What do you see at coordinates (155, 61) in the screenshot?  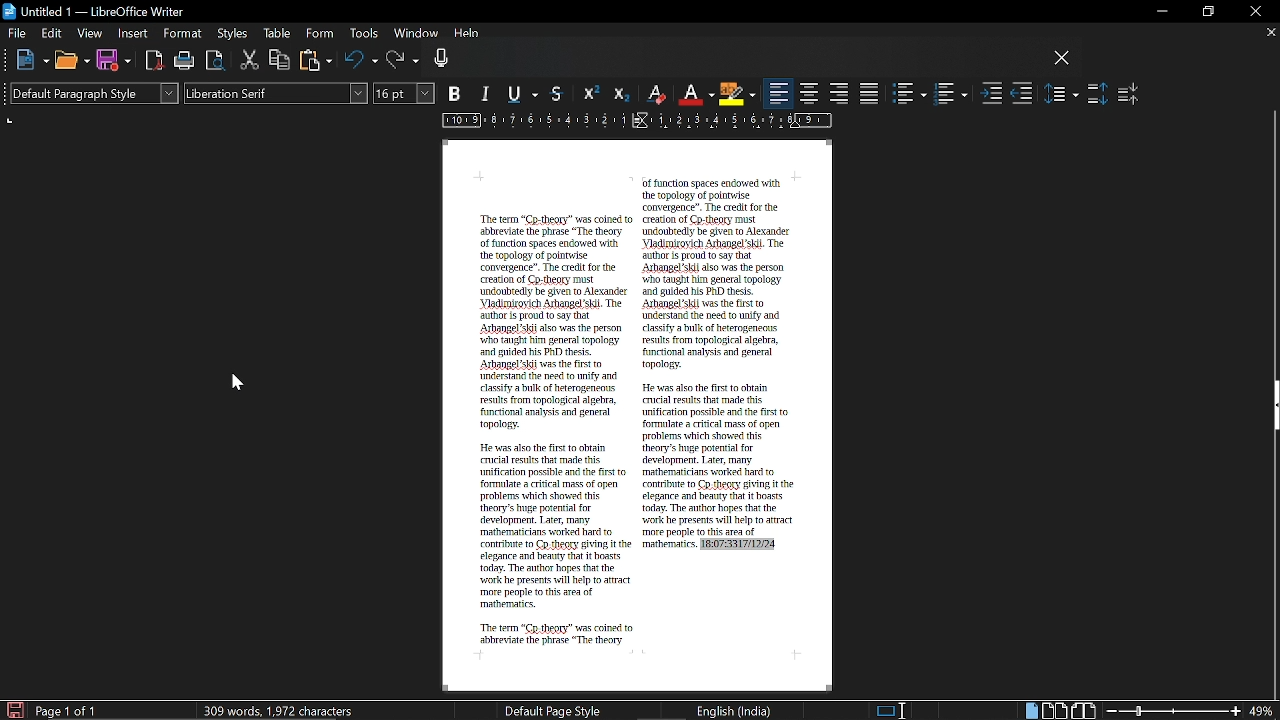 I see `Import as PDF` at bounding box center [155, 61].